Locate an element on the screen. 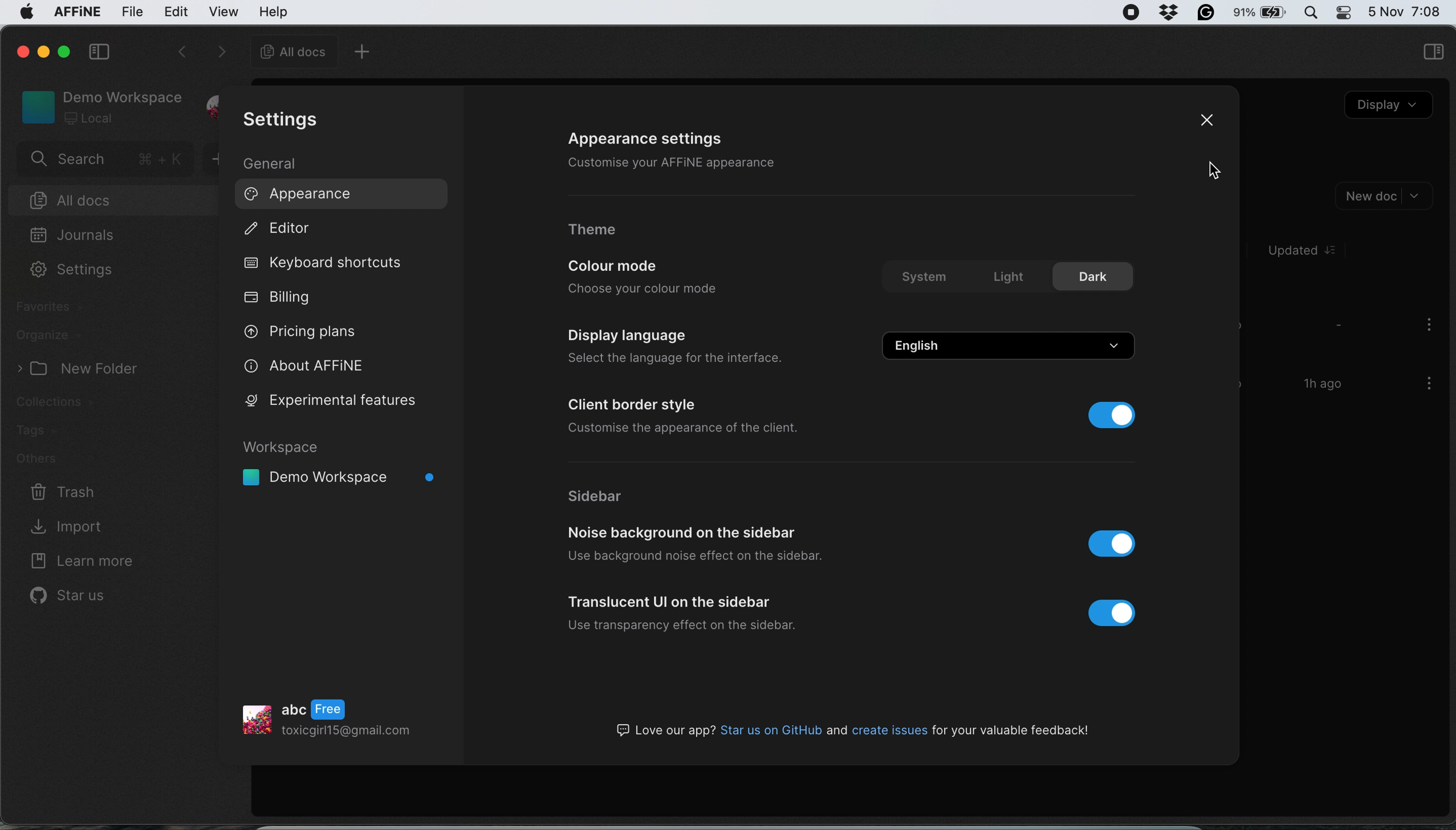  screen recorder is located at coordinates (1132, 13).